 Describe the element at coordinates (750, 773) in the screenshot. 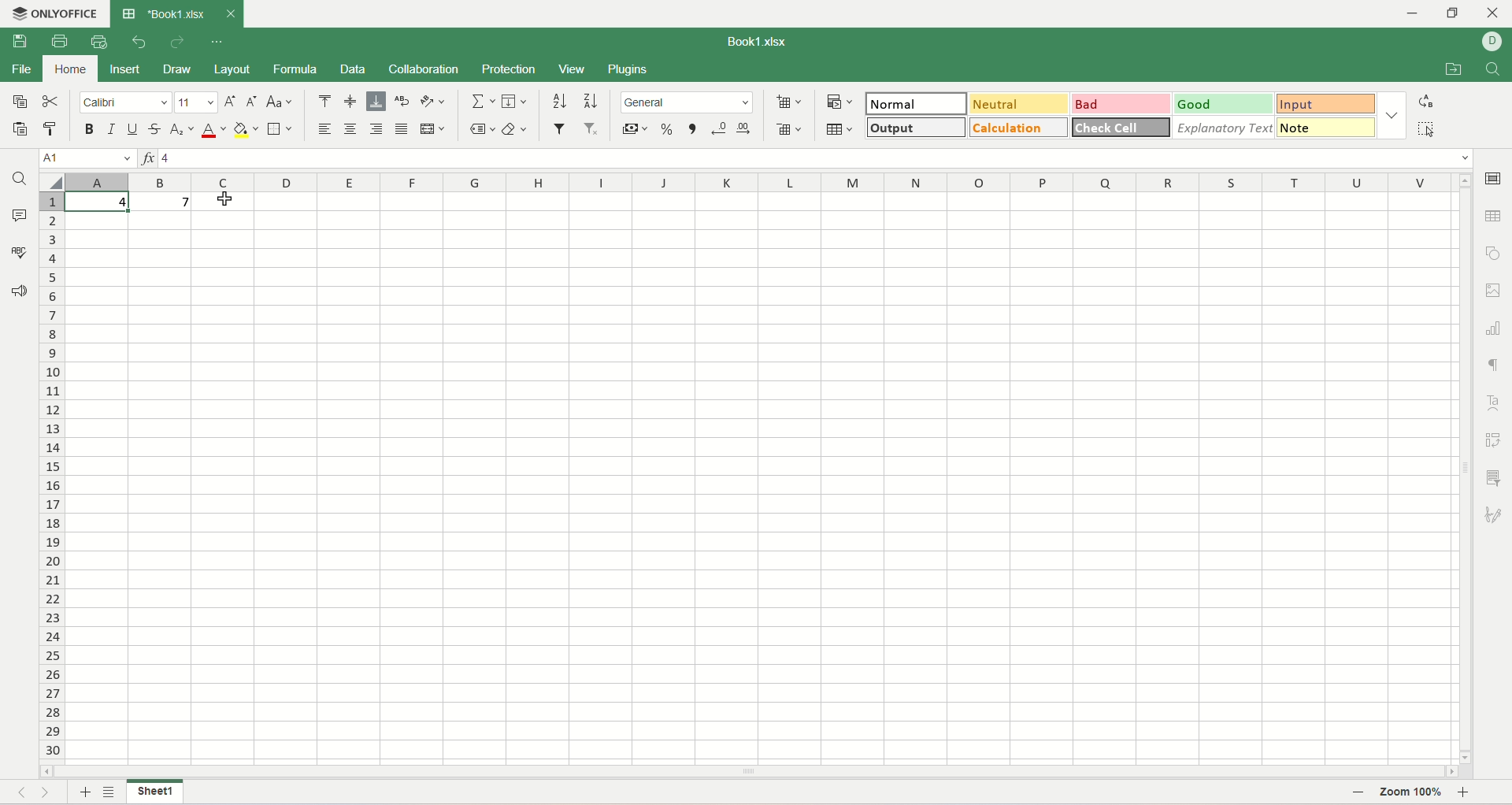

I see `horiontal scroll` at that location.